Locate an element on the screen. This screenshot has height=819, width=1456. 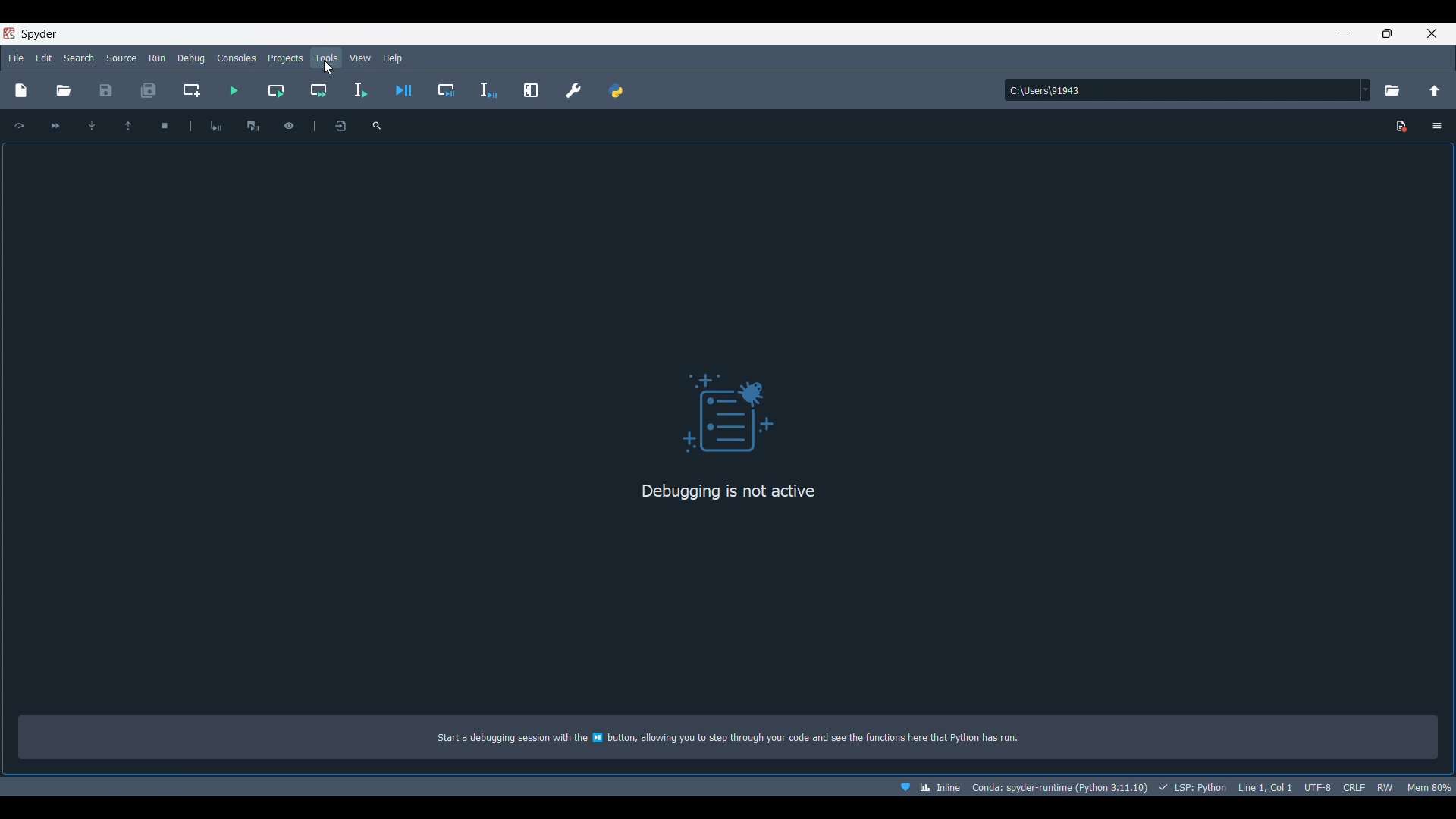
Consoles menu is located at coordinates (237, 58).